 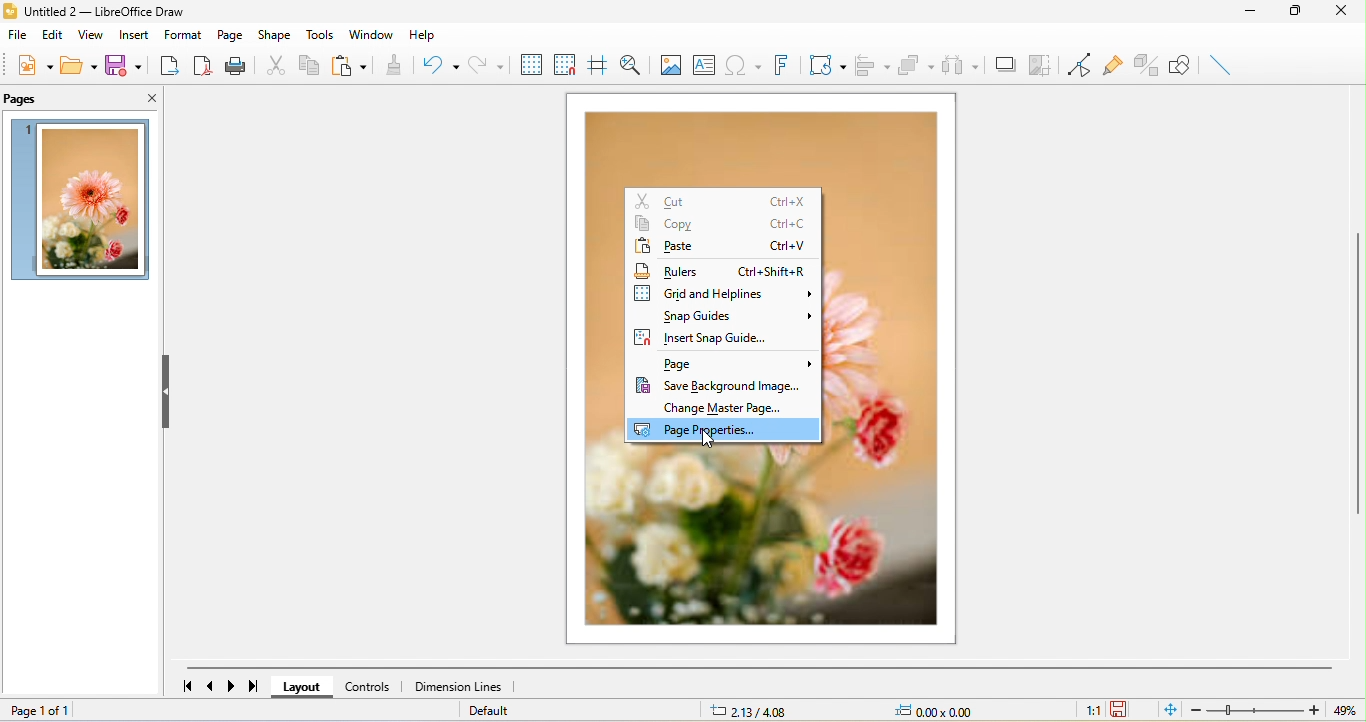 I want to click on change master page, so click(x=731, y=408).